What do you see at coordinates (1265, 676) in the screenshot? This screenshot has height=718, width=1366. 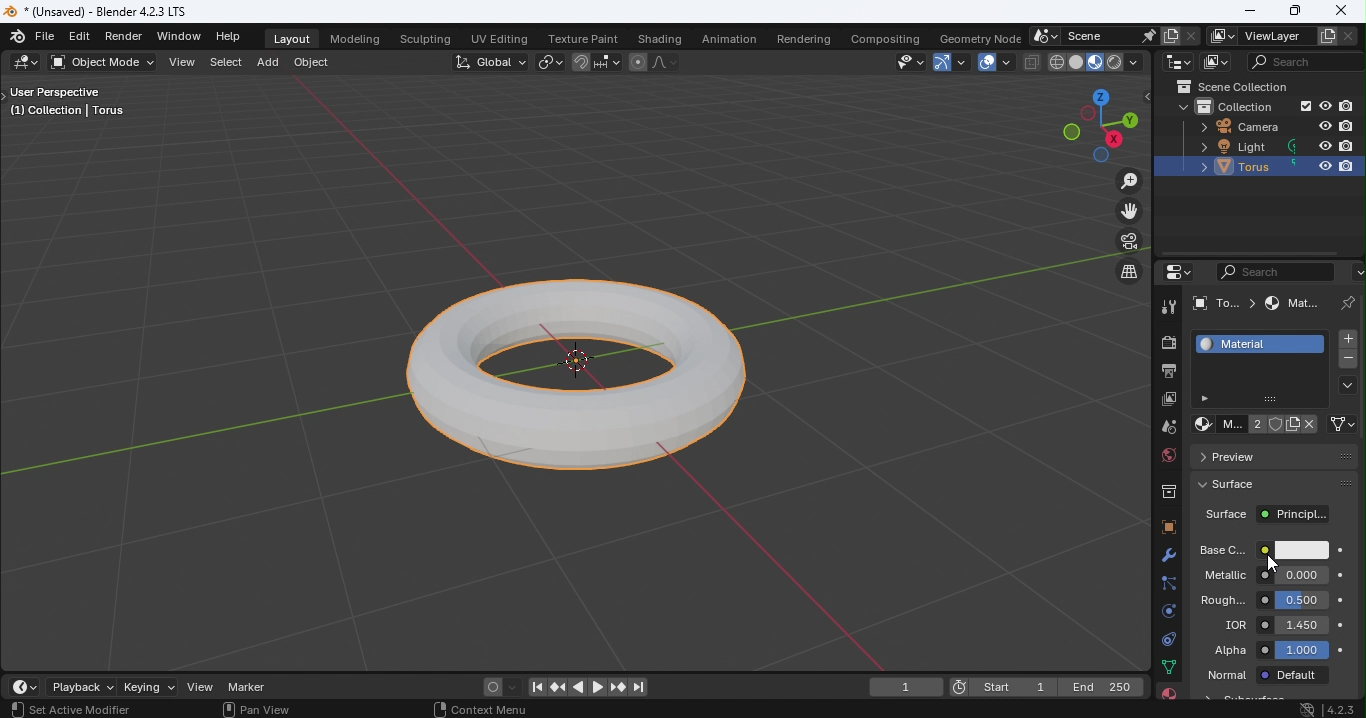 I see `Normal` at bounding box center [1265, 676].